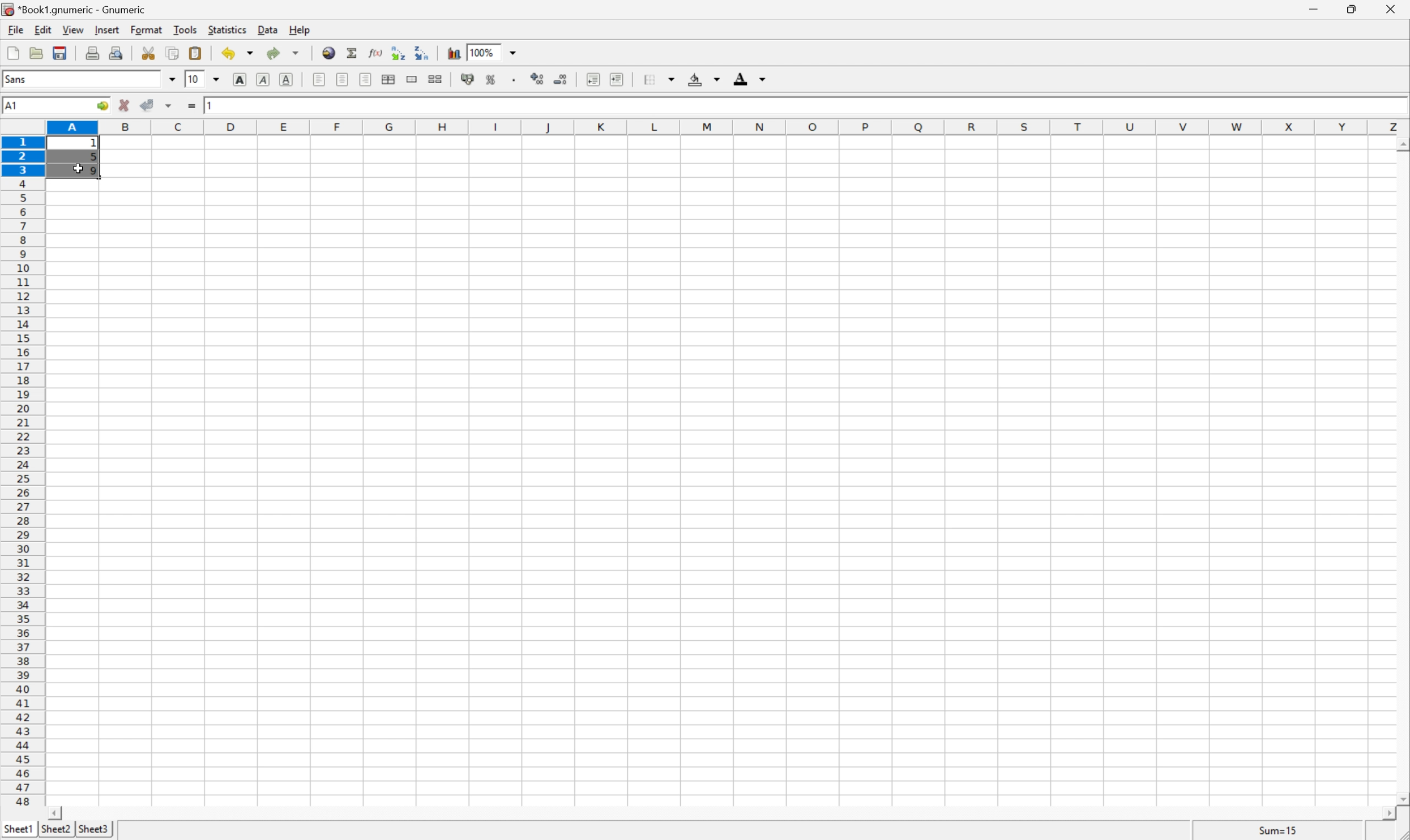 This screenshot has width=1410, height=840. What do you see at coordinates (148, 52) in the screenshot?
I see `cut` at bounding box center [148, 52].